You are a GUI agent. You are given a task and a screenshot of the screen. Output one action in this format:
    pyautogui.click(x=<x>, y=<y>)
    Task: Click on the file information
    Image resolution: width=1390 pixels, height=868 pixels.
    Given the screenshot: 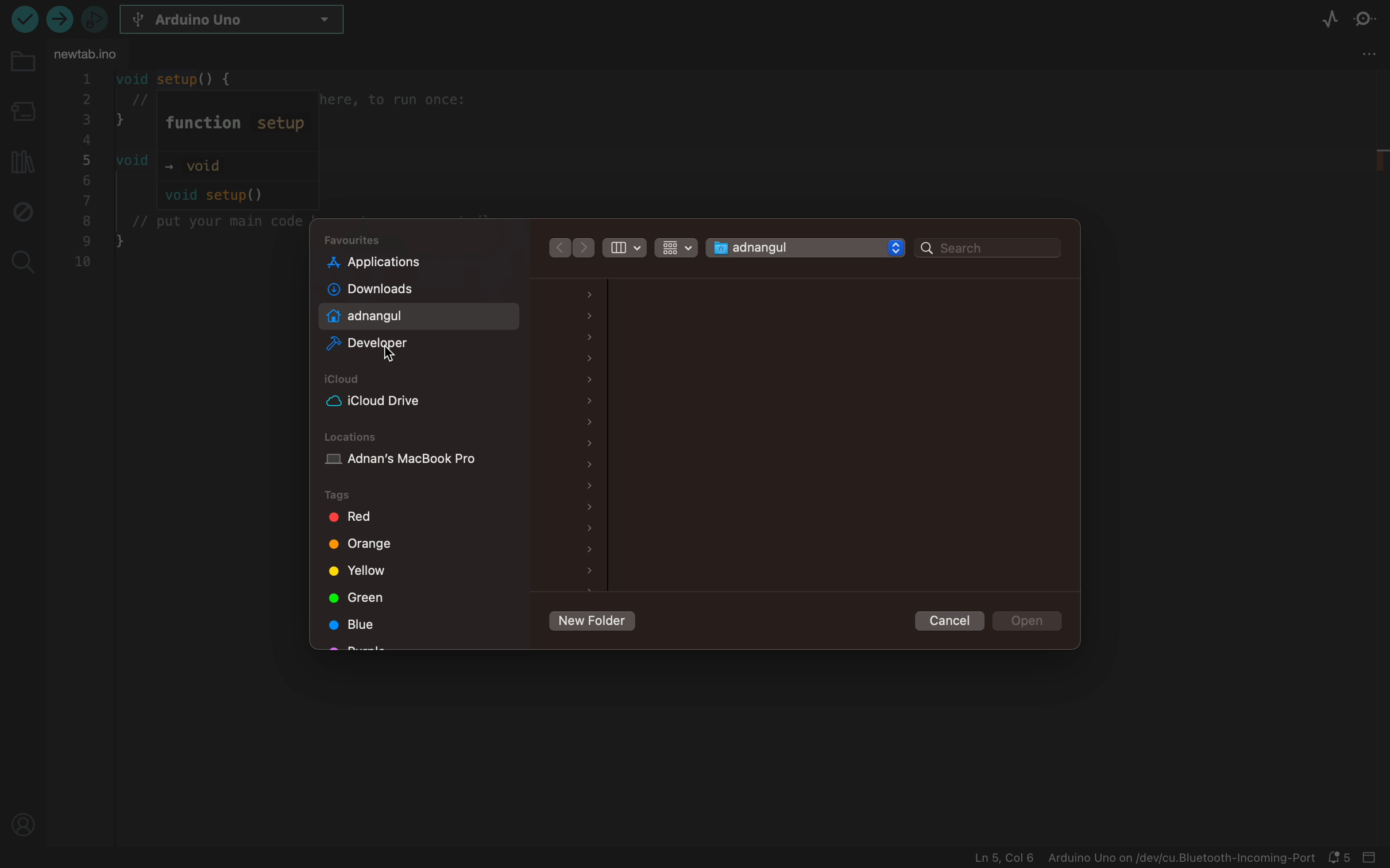 What is the action you would take?
    pyautogui.click(x=1144, y=858)
    